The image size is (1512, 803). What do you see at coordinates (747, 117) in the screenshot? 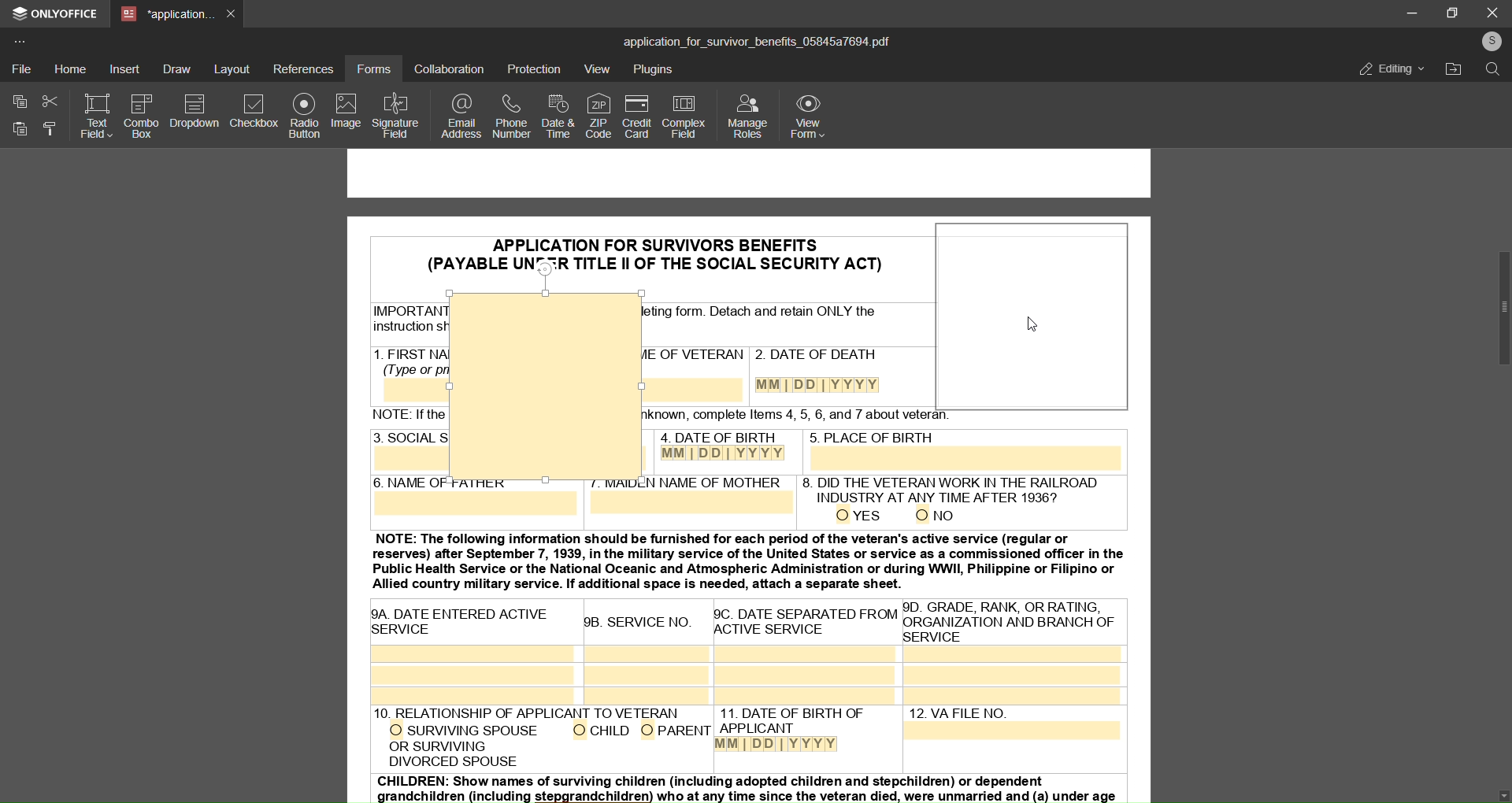
I see `manage roles` at bounding box center [747, 117].